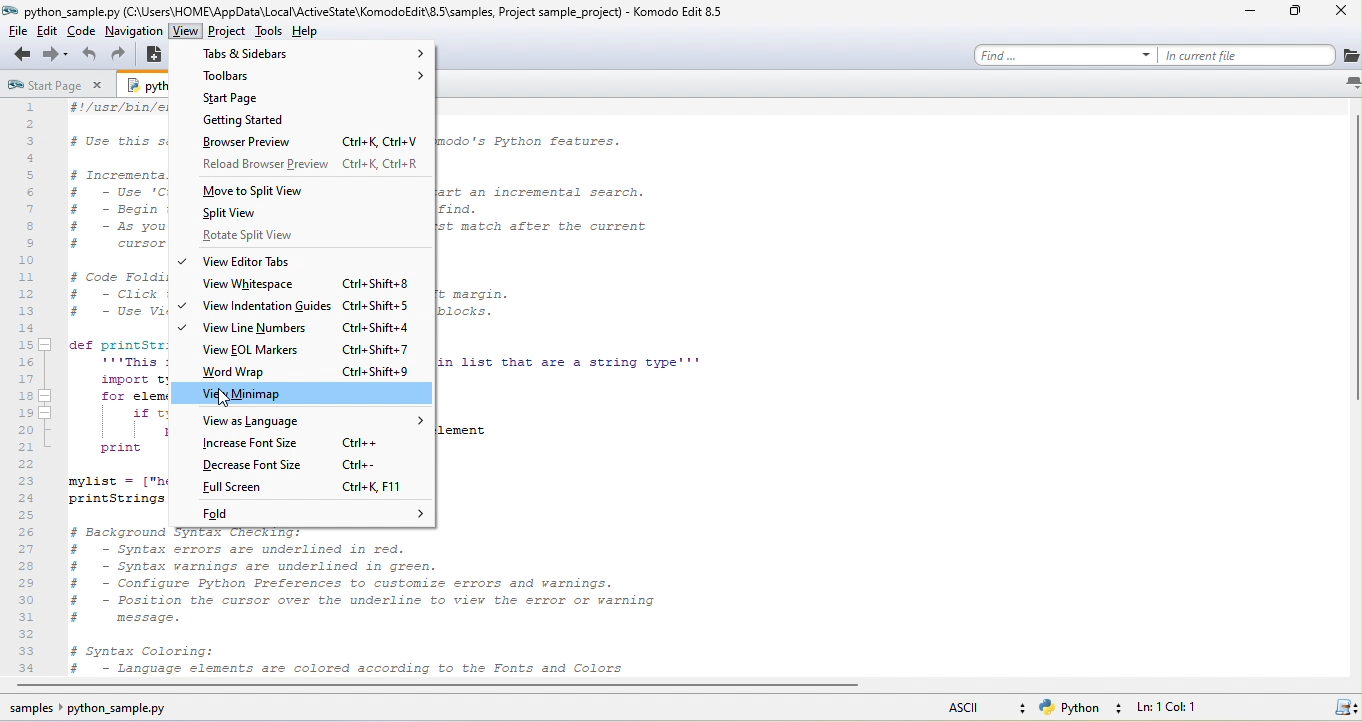  What do you see at coordinates (985, 709) in the screenshot?
I see `ascii` at bounding box center [985, 709].